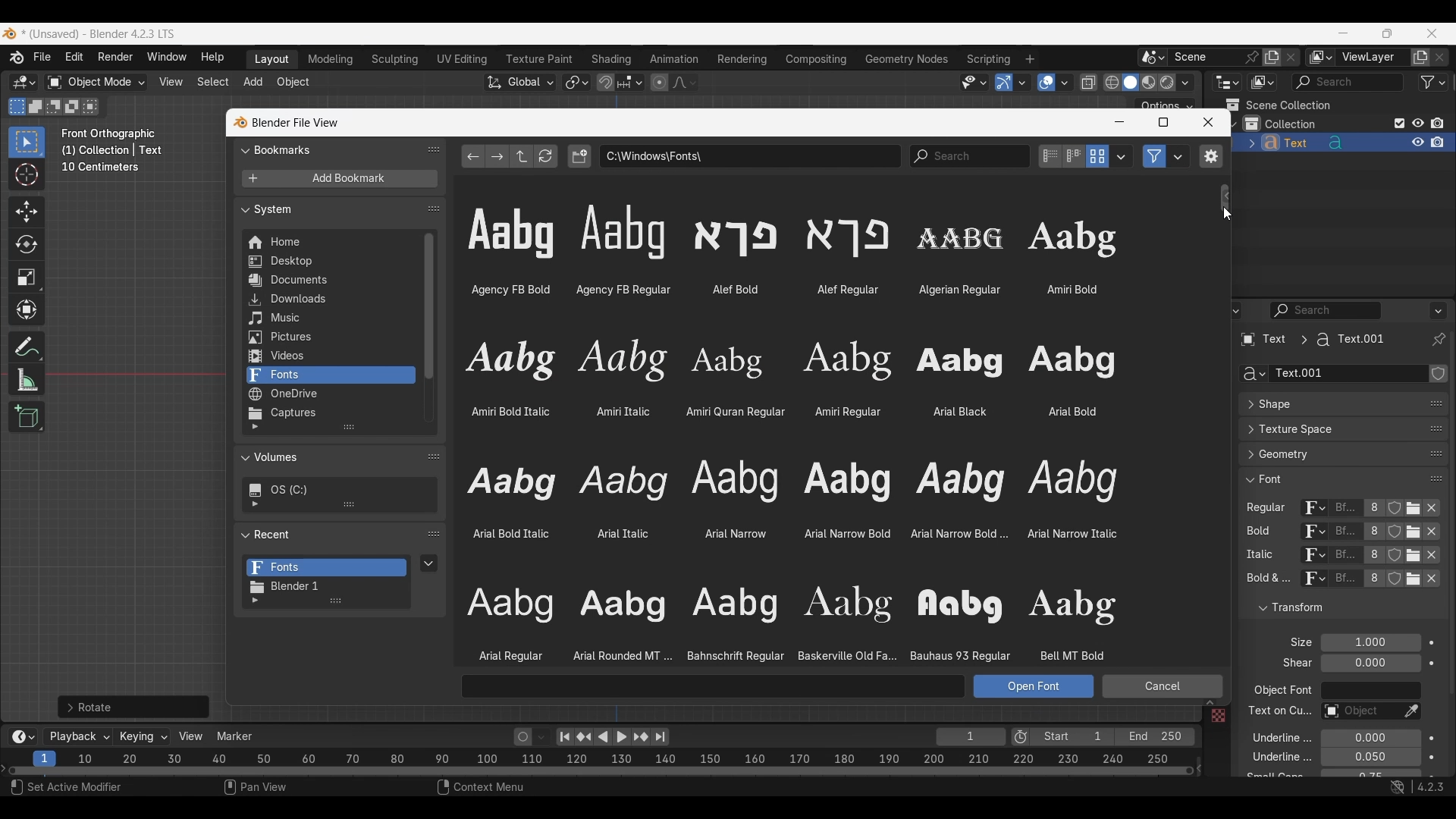 The width and height of the screenshot is (1456, 819). What do you see at coordinates (1272, 58) in the screenshot?
I see `Add new scene` at bounding box center [1272, 58].